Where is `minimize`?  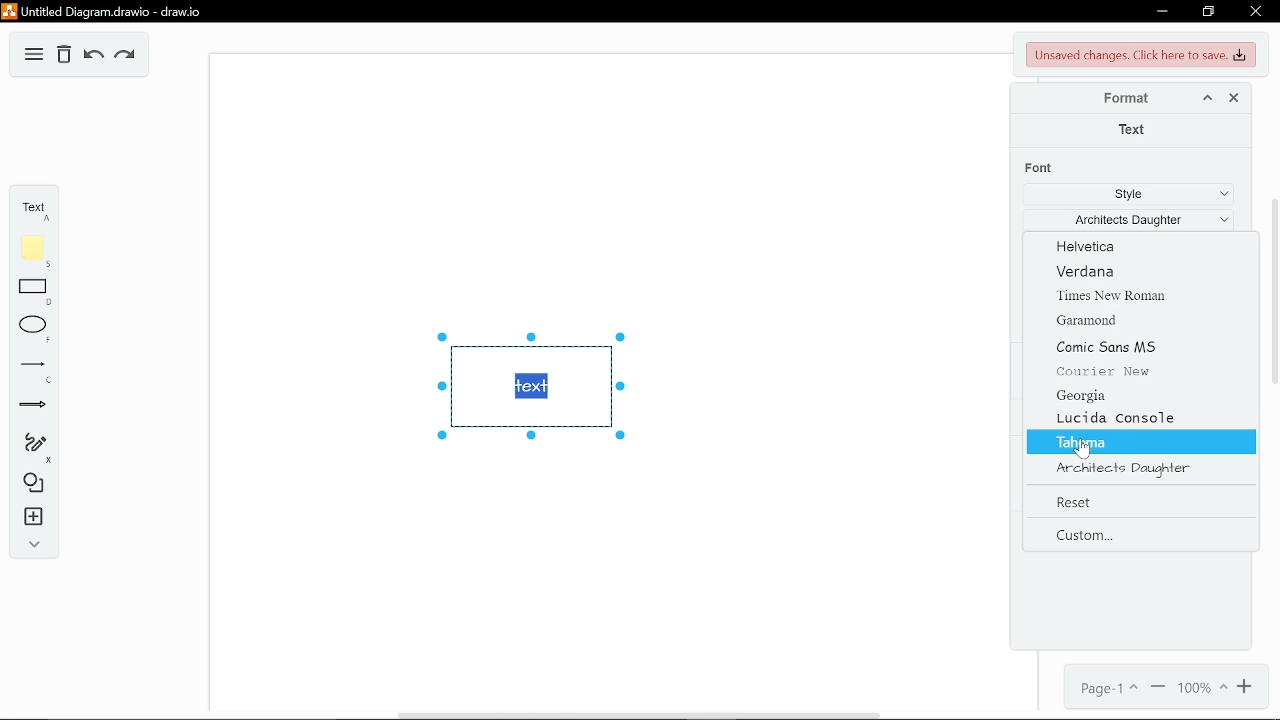
minimize is located at coordinates (1159, 12).